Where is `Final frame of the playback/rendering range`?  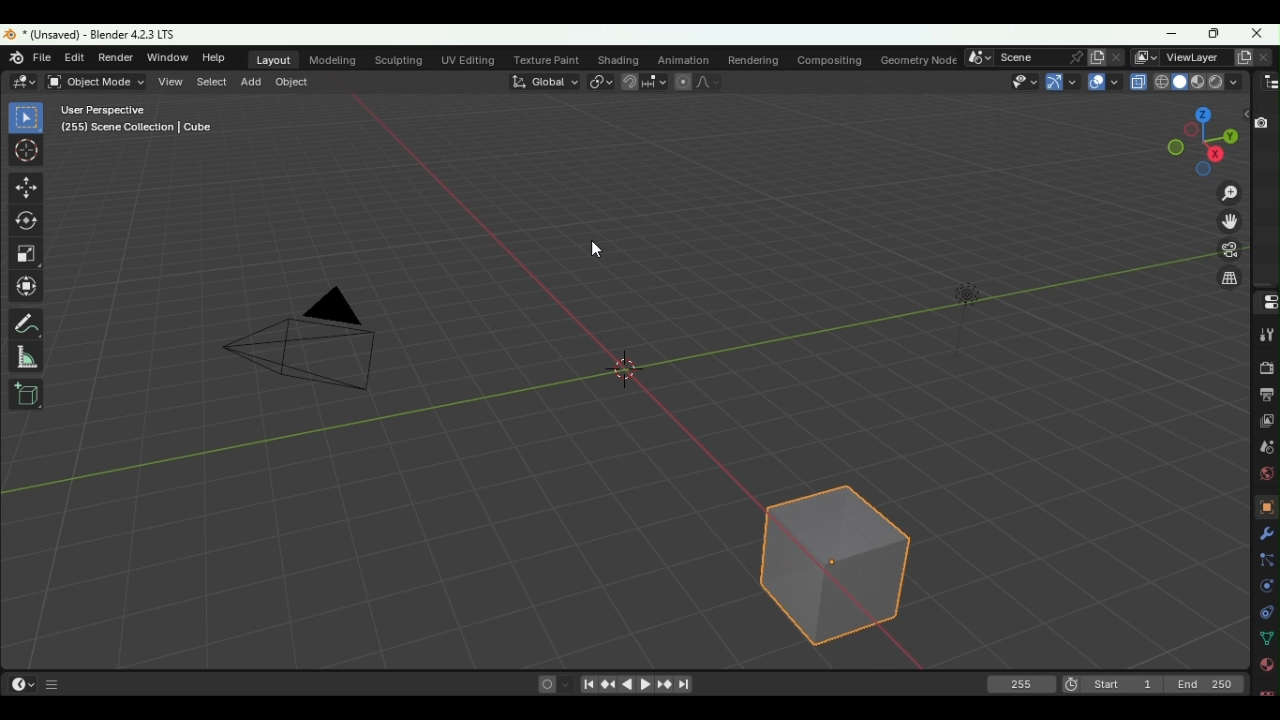
Final frame of the playback/rendering range is located at coordinates (1203, 685).